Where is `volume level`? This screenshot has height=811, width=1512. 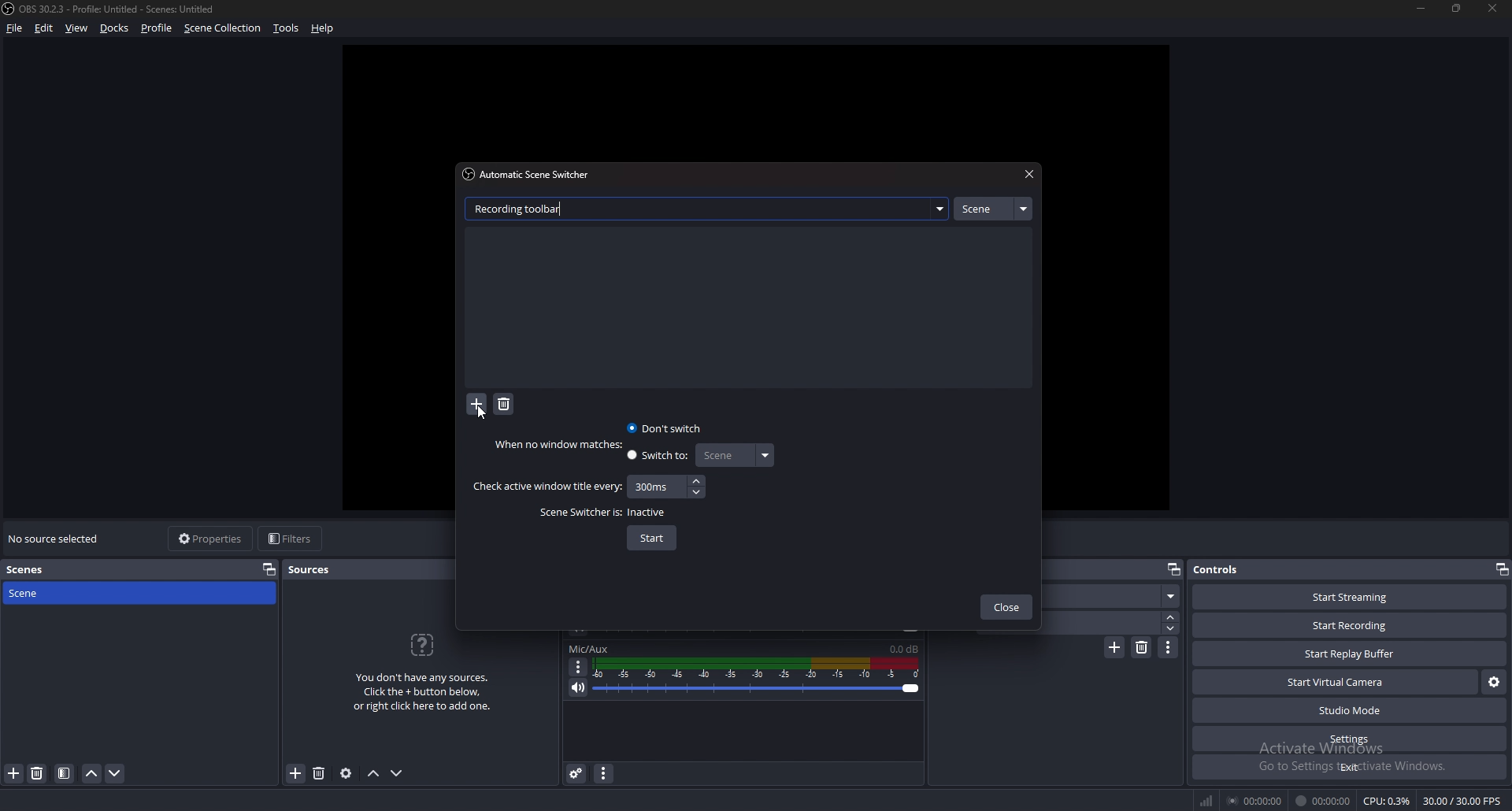 volume level is located at coordinates (904, 649).